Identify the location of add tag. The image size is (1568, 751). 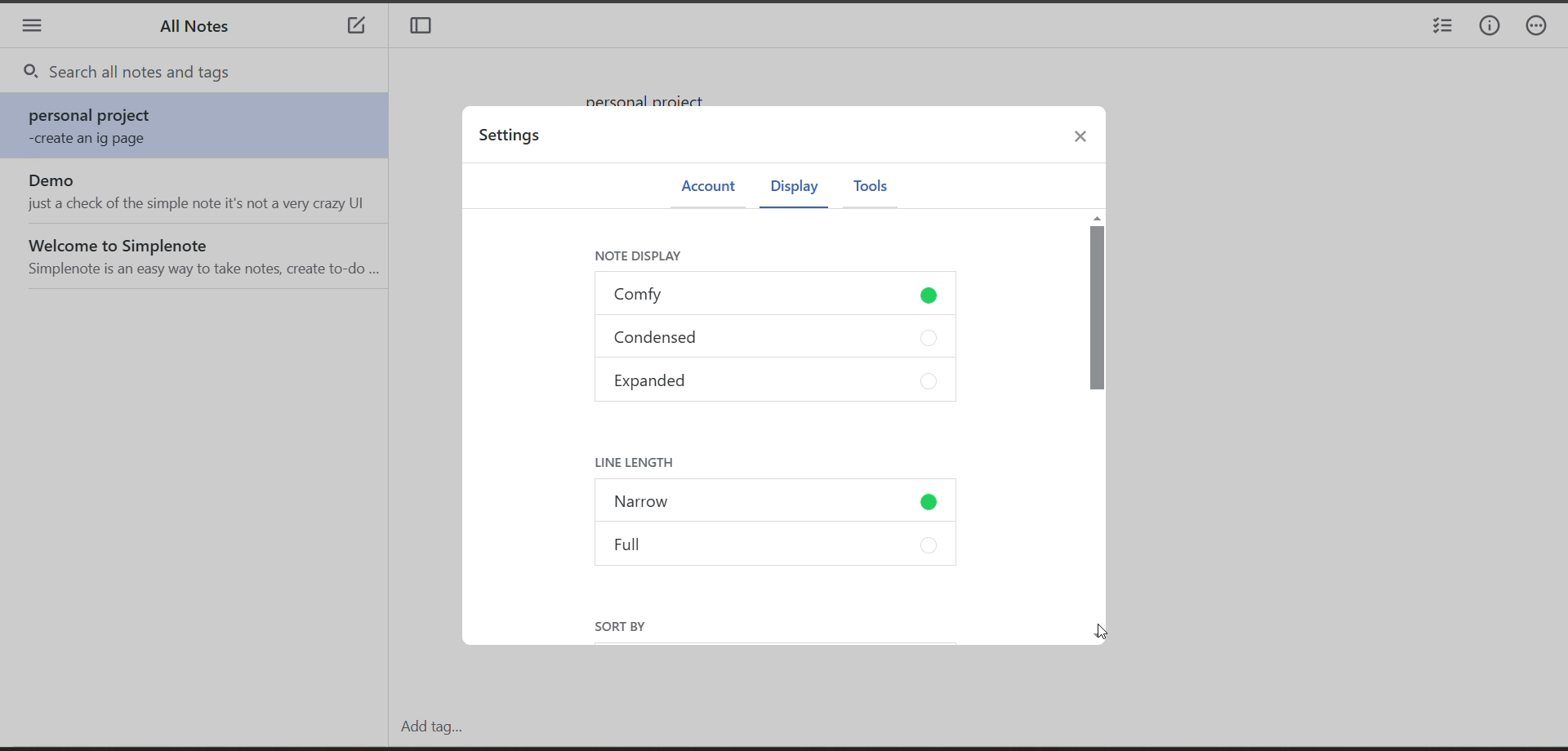
(427, 727).